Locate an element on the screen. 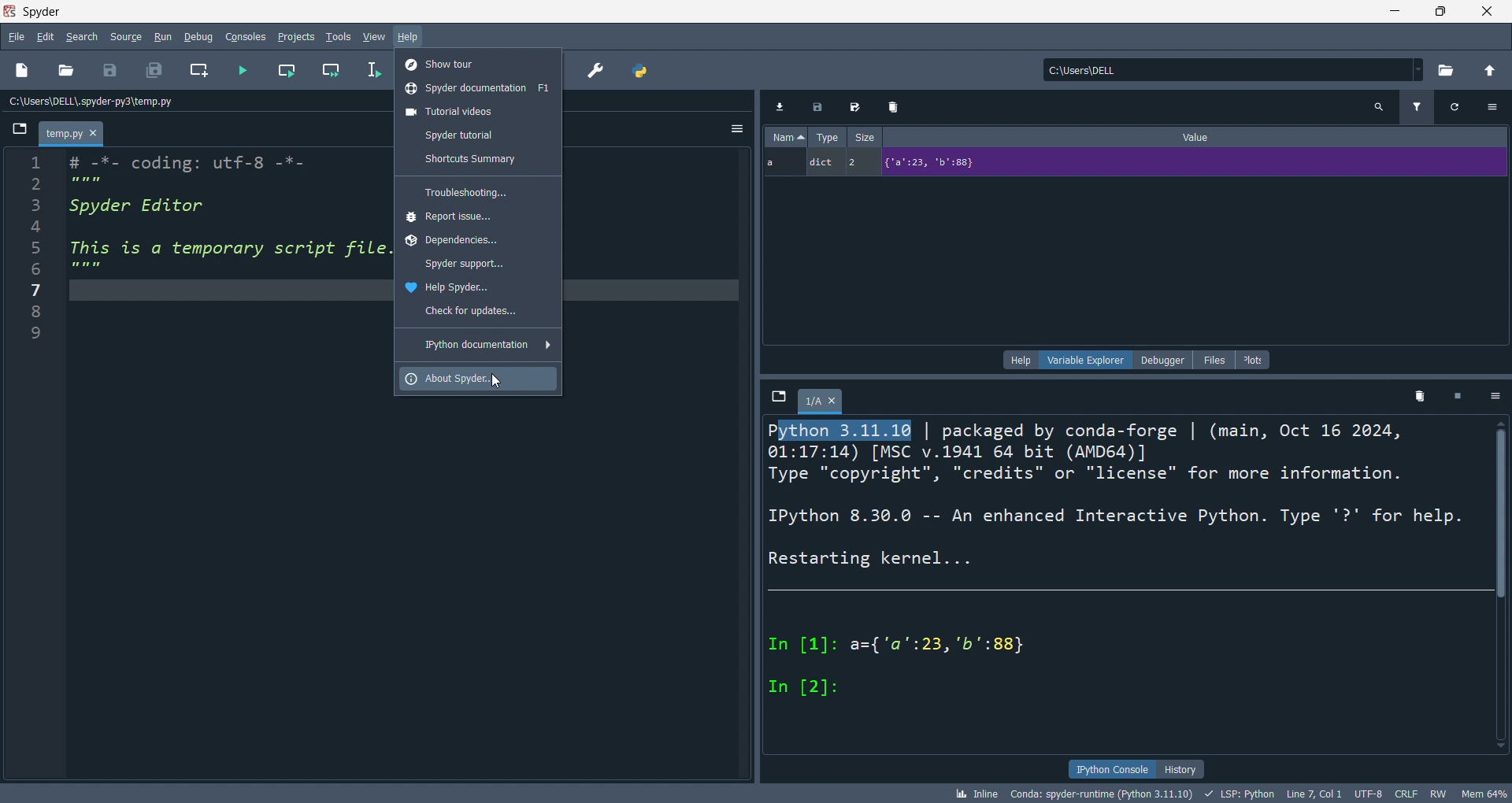  save all is located at coordinates (154, 71).